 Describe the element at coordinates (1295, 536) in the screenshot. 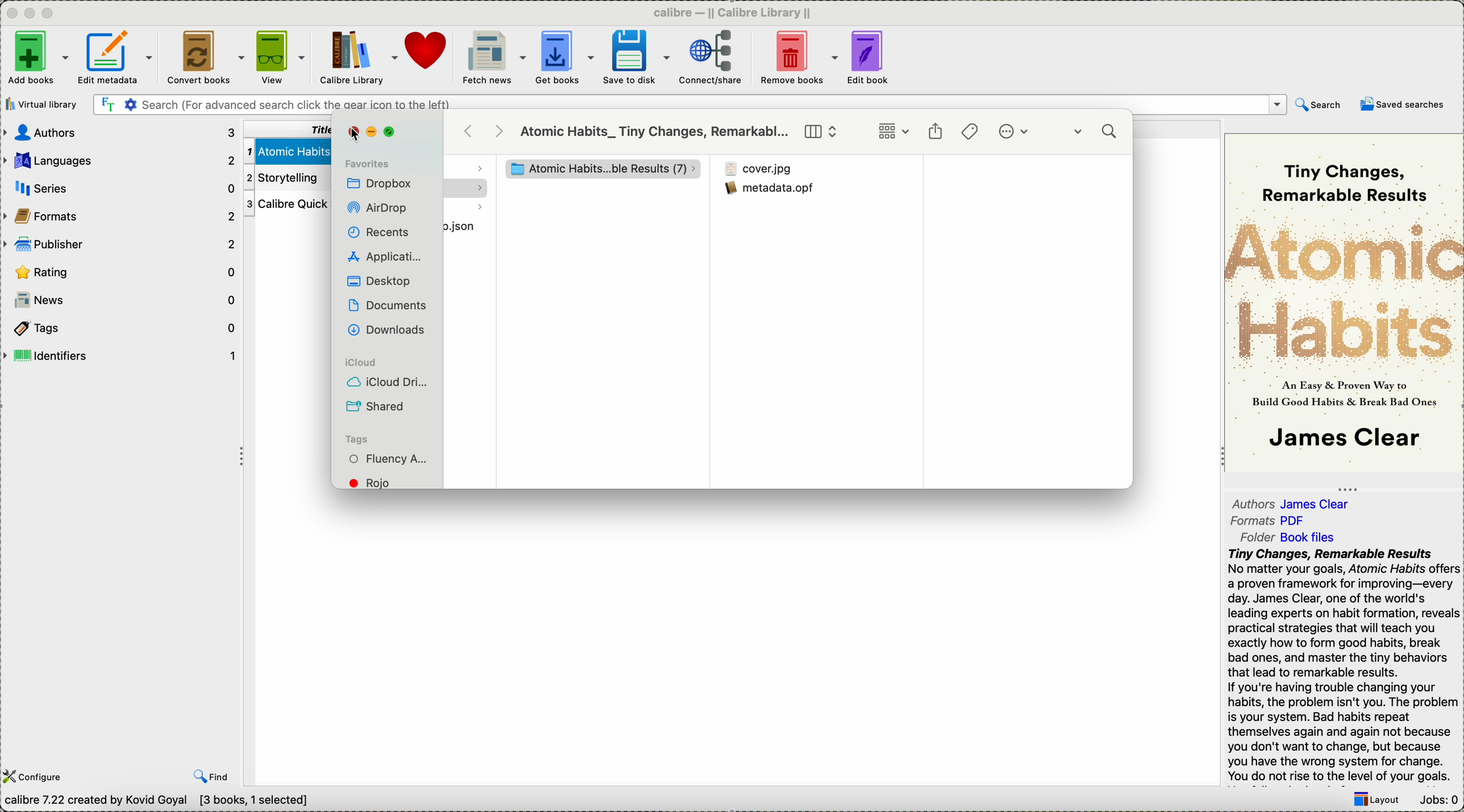

I see `folder` at that location.